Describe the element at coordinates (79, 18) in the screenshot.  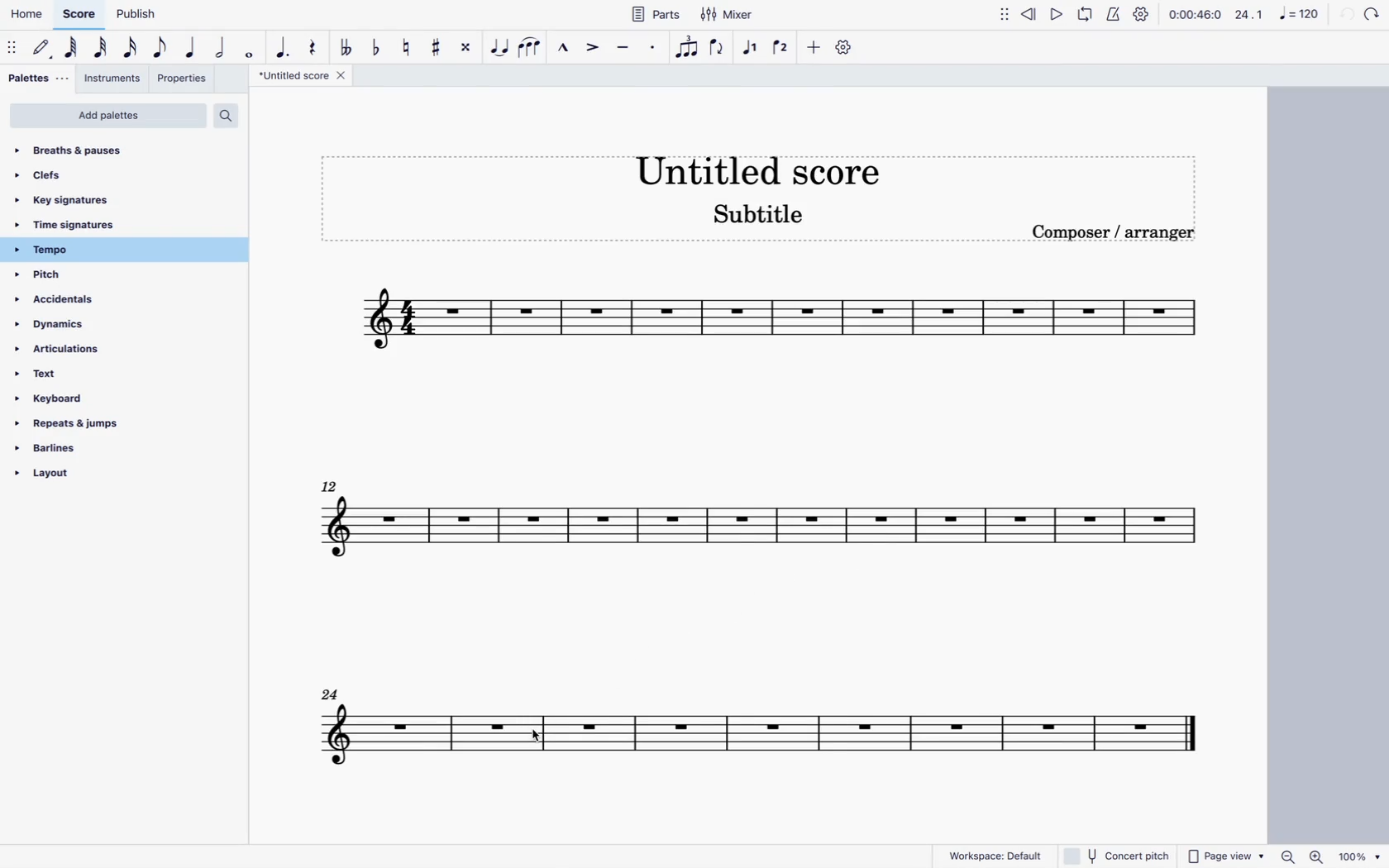
I see `score` at that location.